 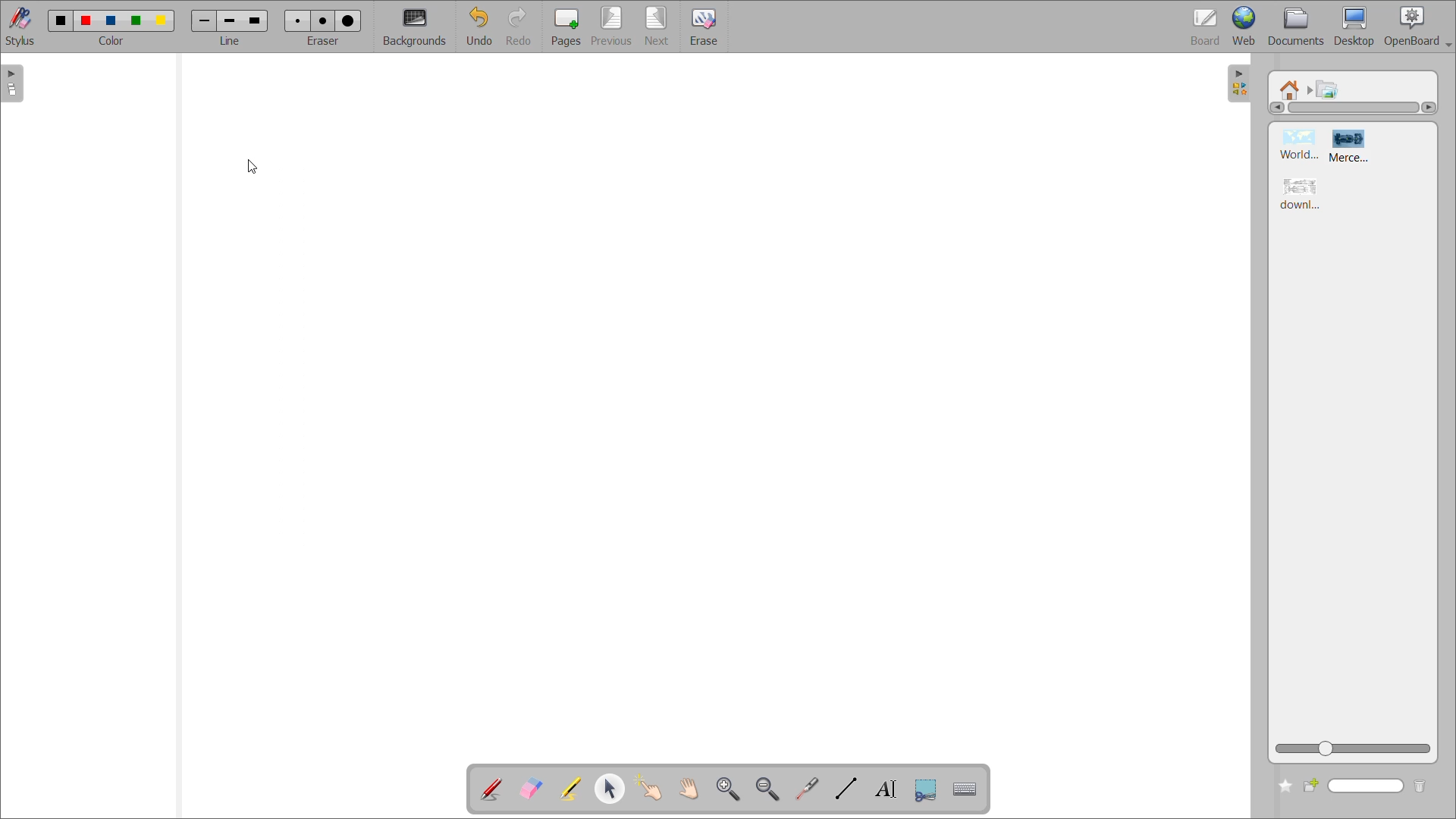 I want to click on zoom in, so click(x=728, y=787).